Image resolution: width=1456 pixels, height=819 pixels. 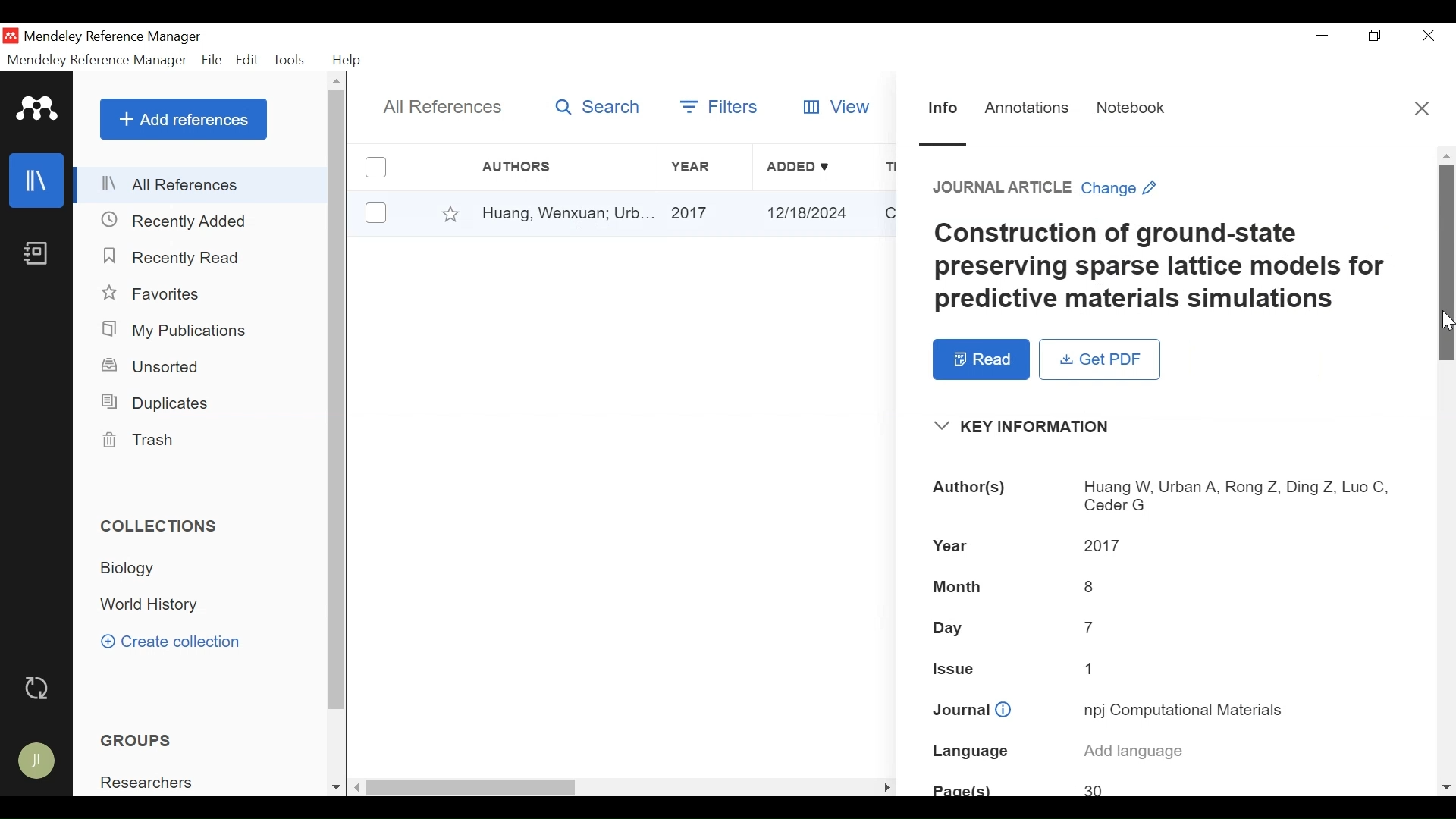 What do you see at coordinates (1134, 751) in the screenshot?
I see `Add language` at bounding box center [1134, 751].